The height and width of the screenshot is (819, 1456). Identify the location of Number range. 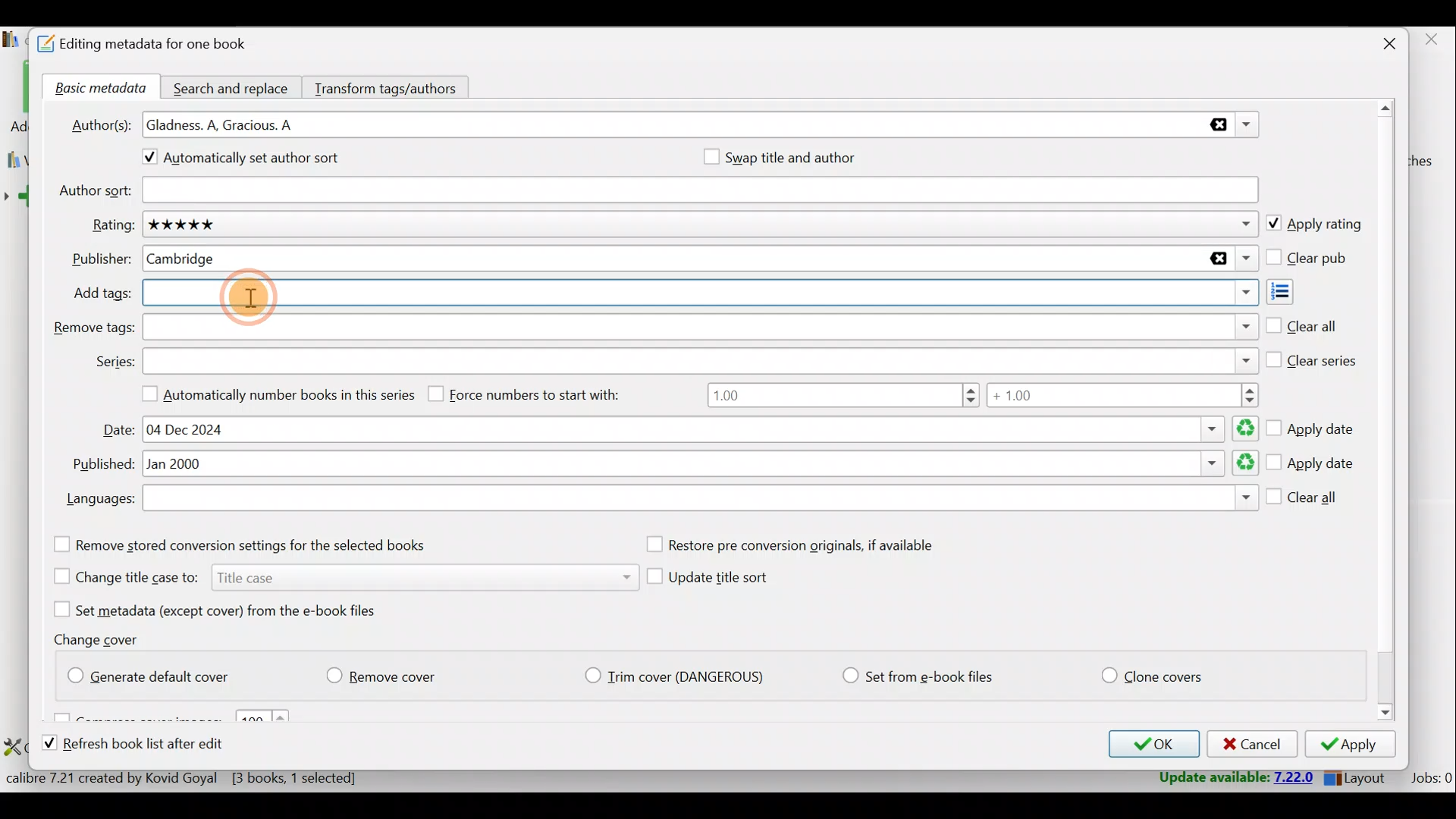
(982, 397).